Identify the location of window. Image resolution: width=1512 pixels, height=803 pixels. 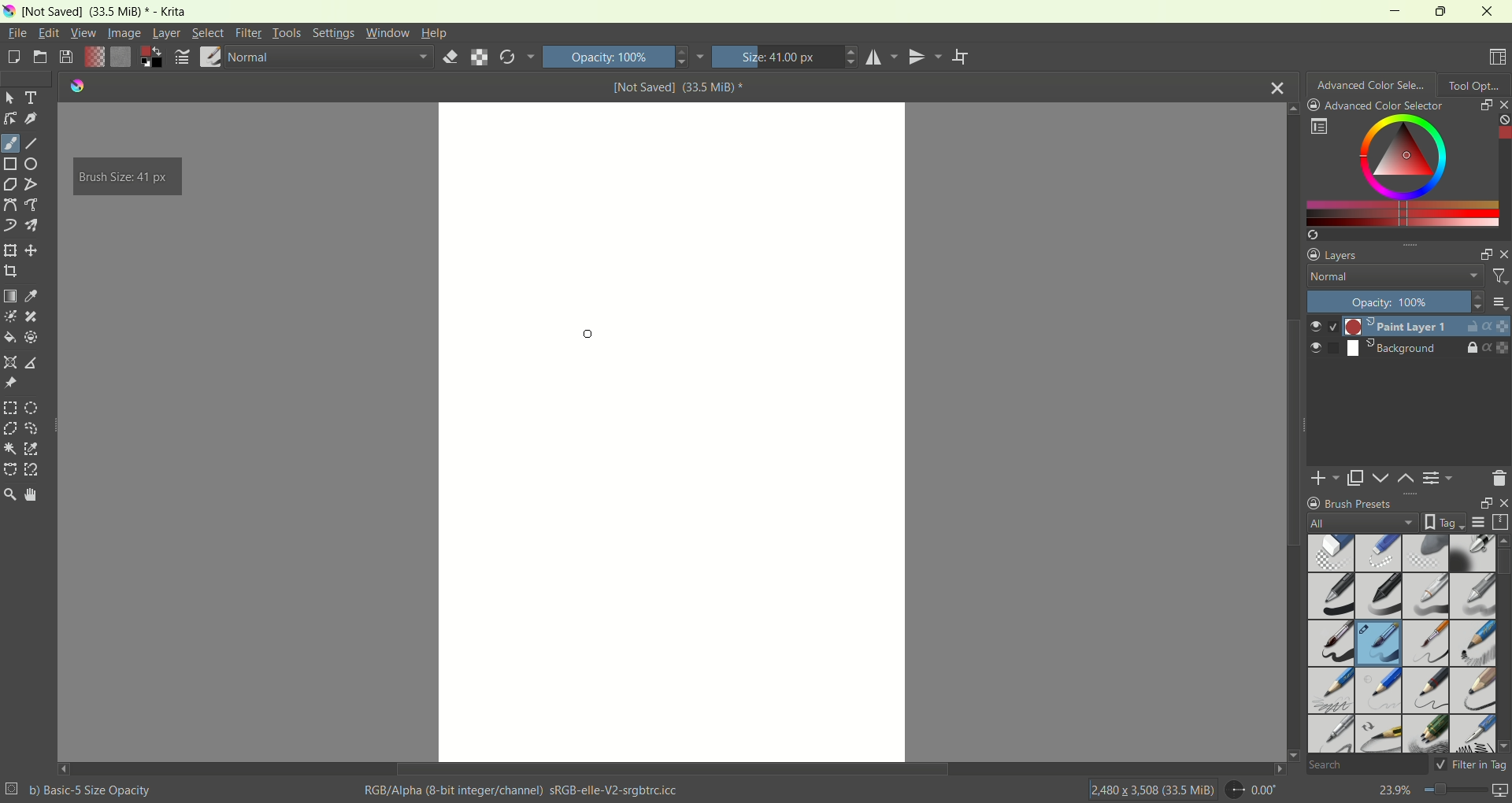
(387, 33).